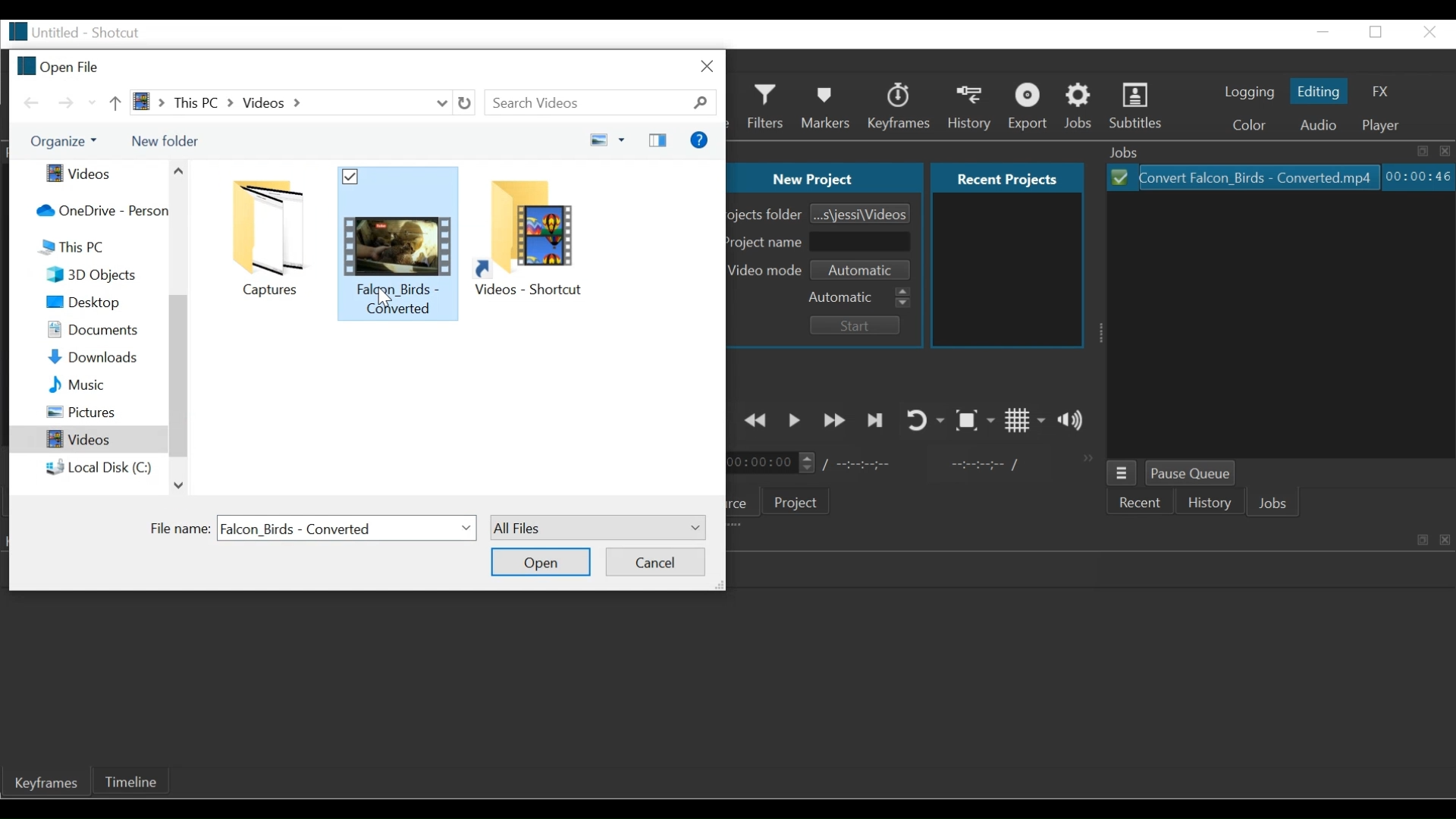 This screenshot has height=819, width=1456. Describe the element at coordinates (861, 298) in the screenshot. I see `Automatic` at that location.